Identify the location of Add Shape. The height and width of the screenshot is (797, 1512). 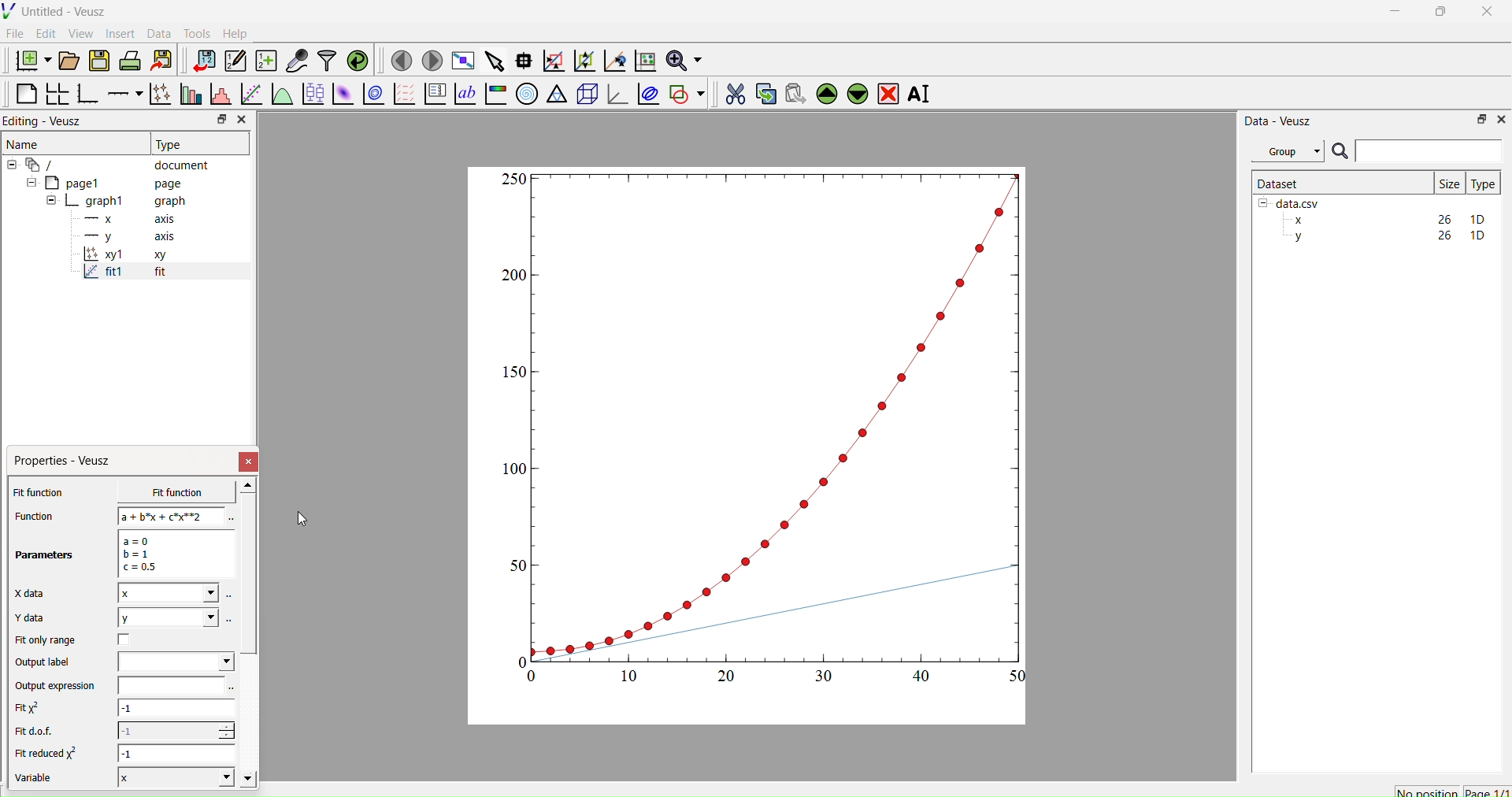
(685, 91).